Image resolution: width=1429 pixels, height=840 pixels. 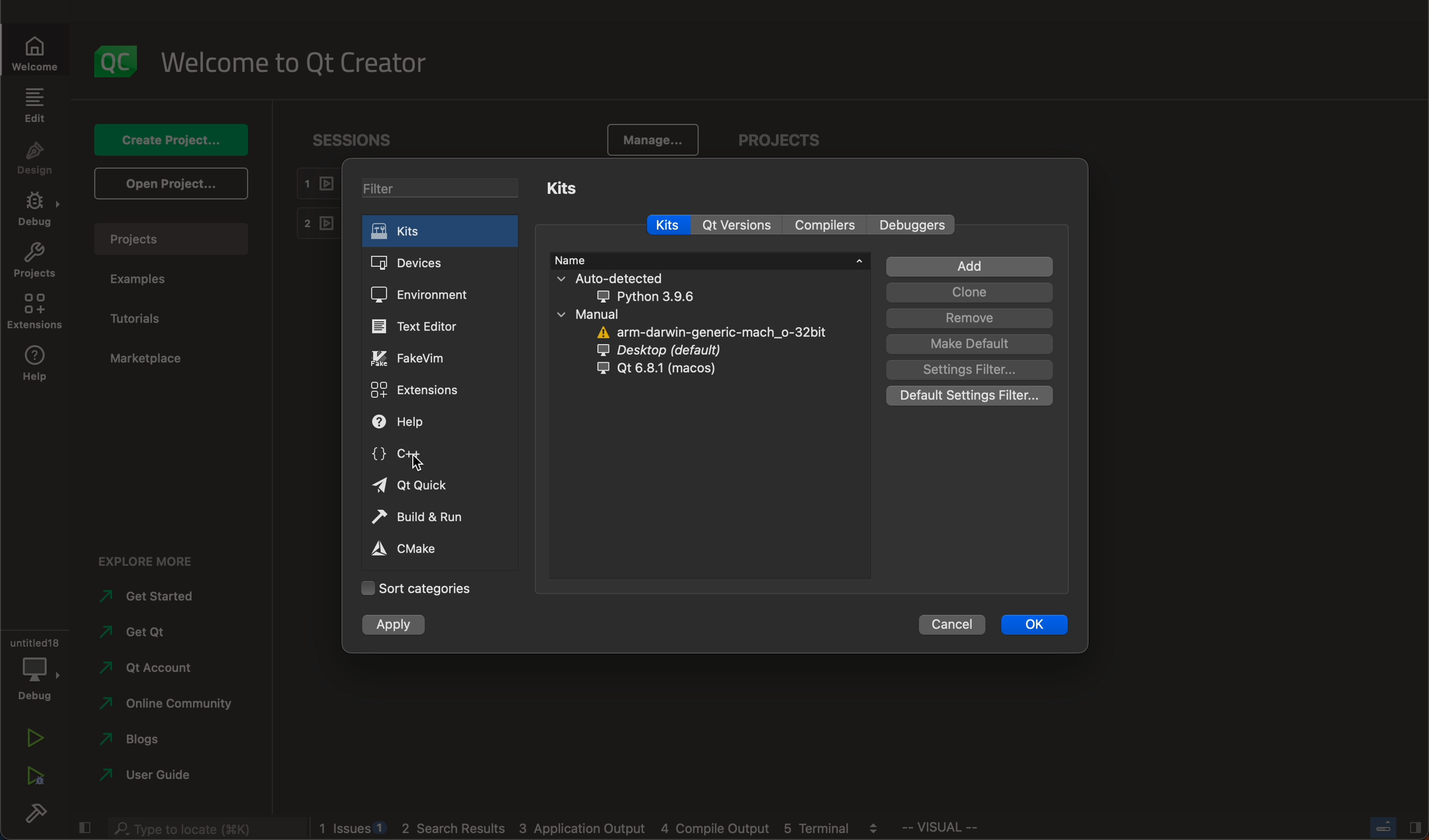 I want to click on default, so click(x=674, y=351).